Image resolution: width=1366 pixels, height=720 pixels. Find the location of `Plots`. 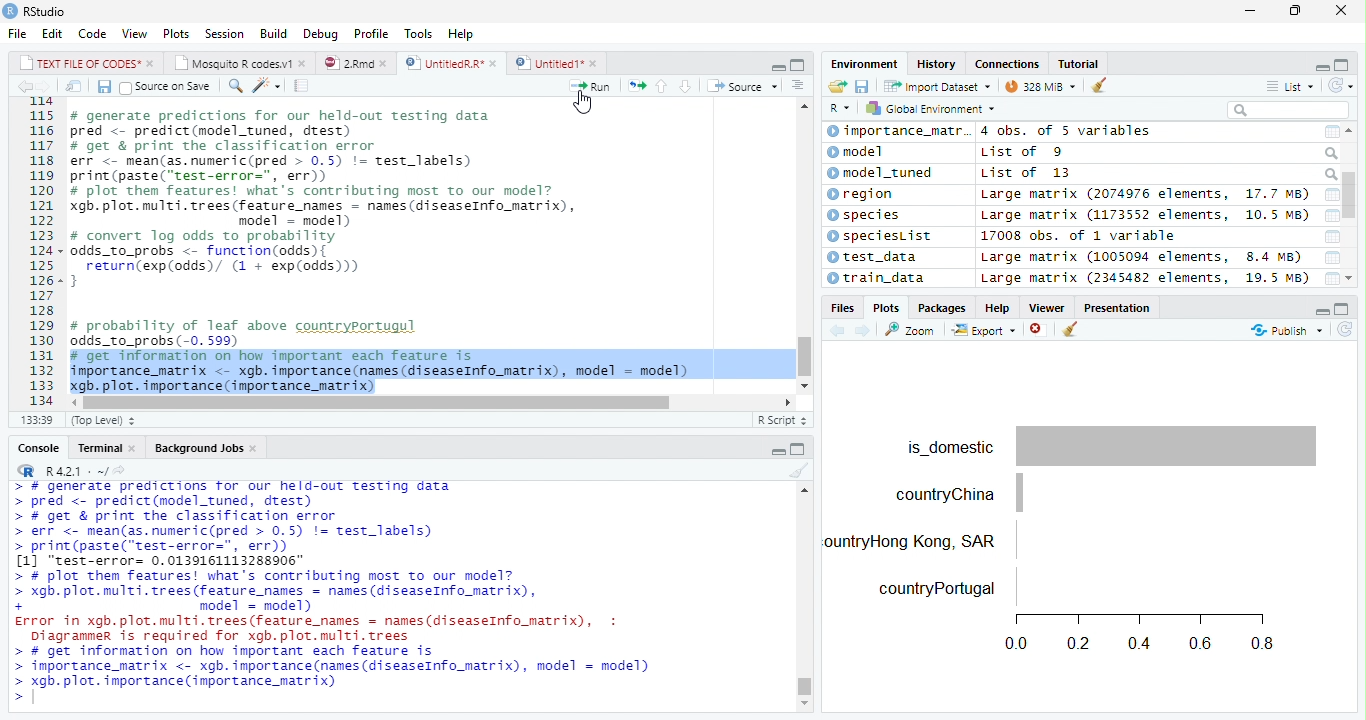

Plots is located at coordinates (174, 33).